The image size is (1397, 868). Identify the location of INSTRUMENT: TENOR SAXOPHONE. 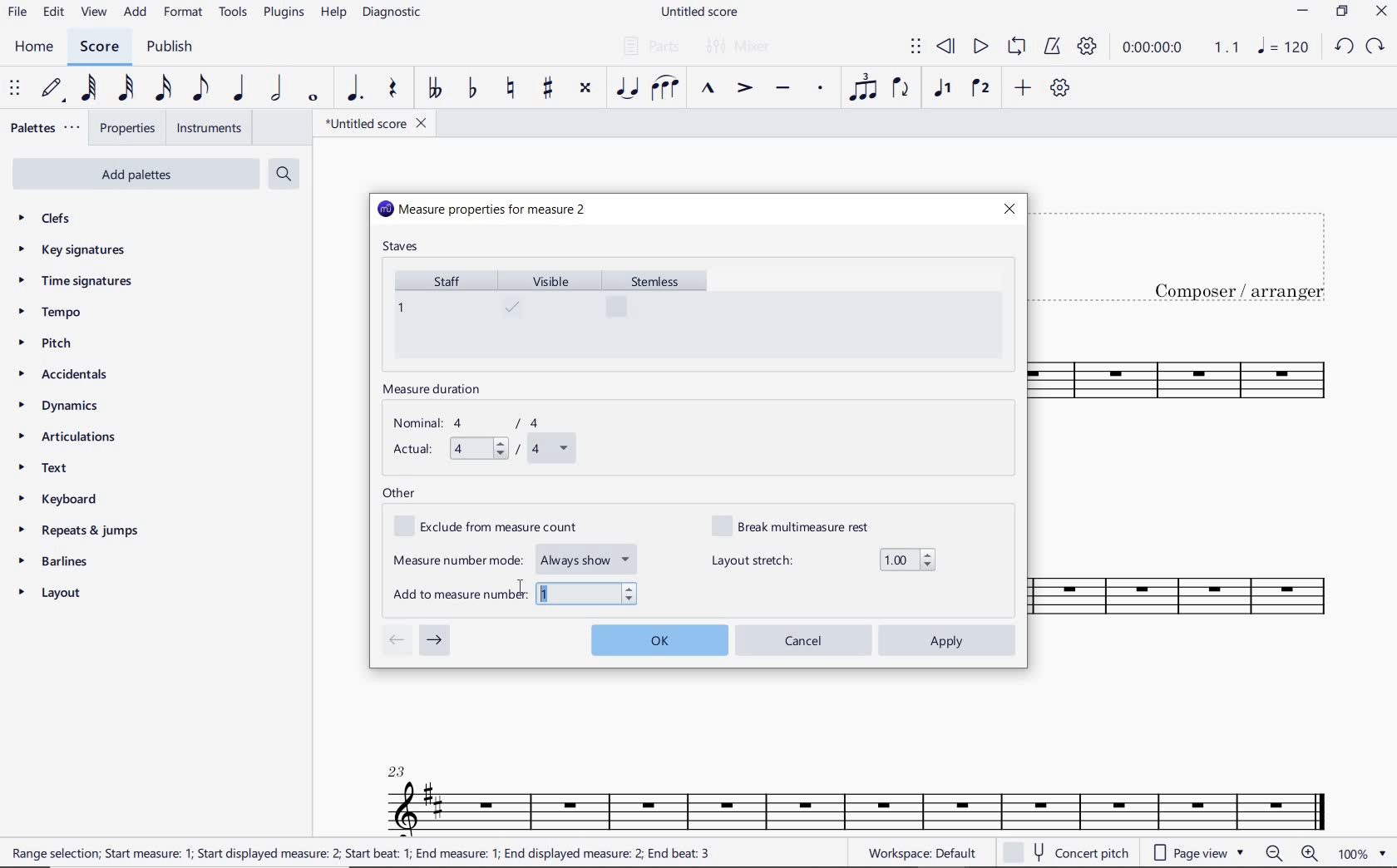
(857, 787).